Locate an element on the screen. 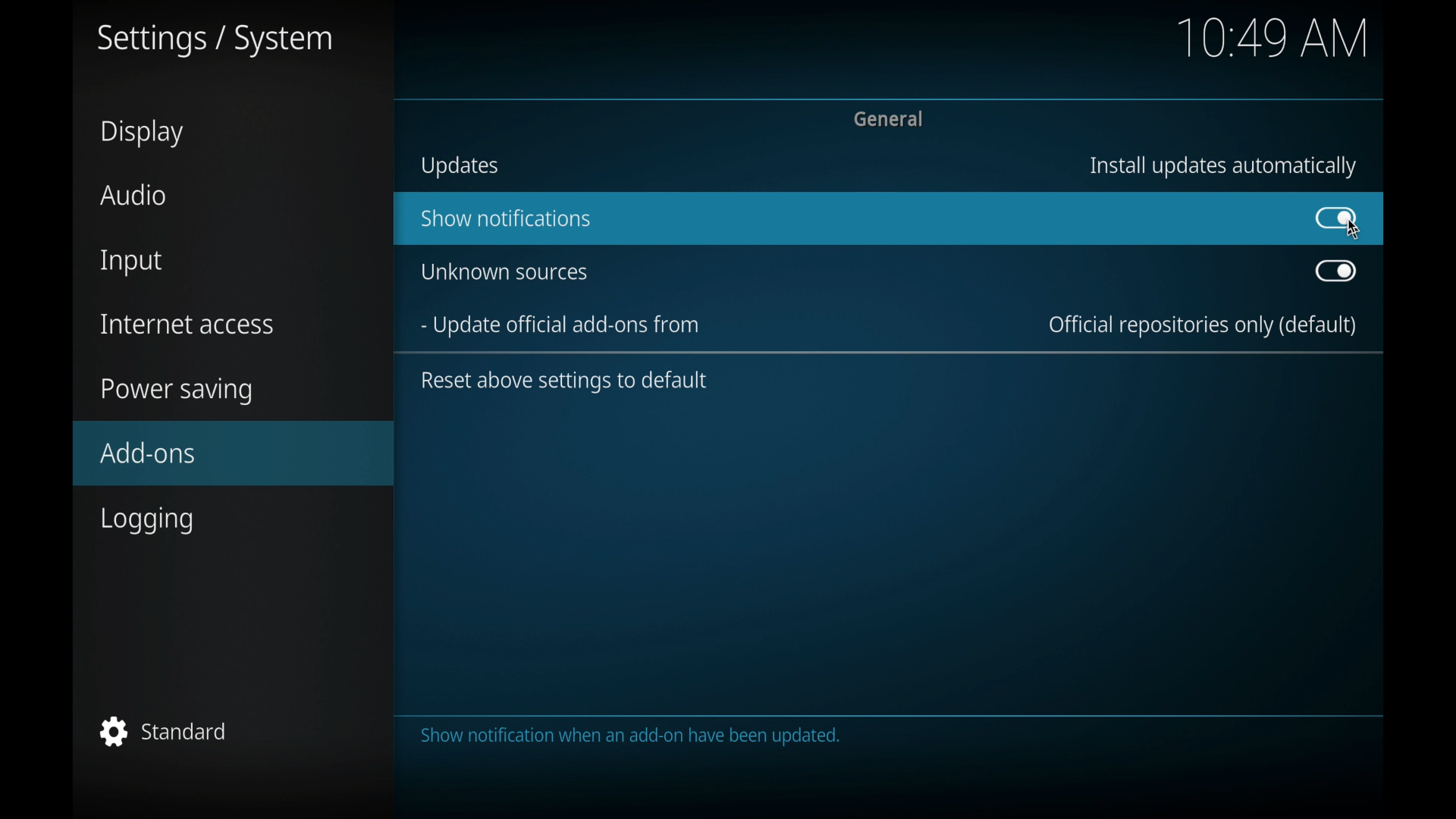  display is located at coordinates (143, 133).